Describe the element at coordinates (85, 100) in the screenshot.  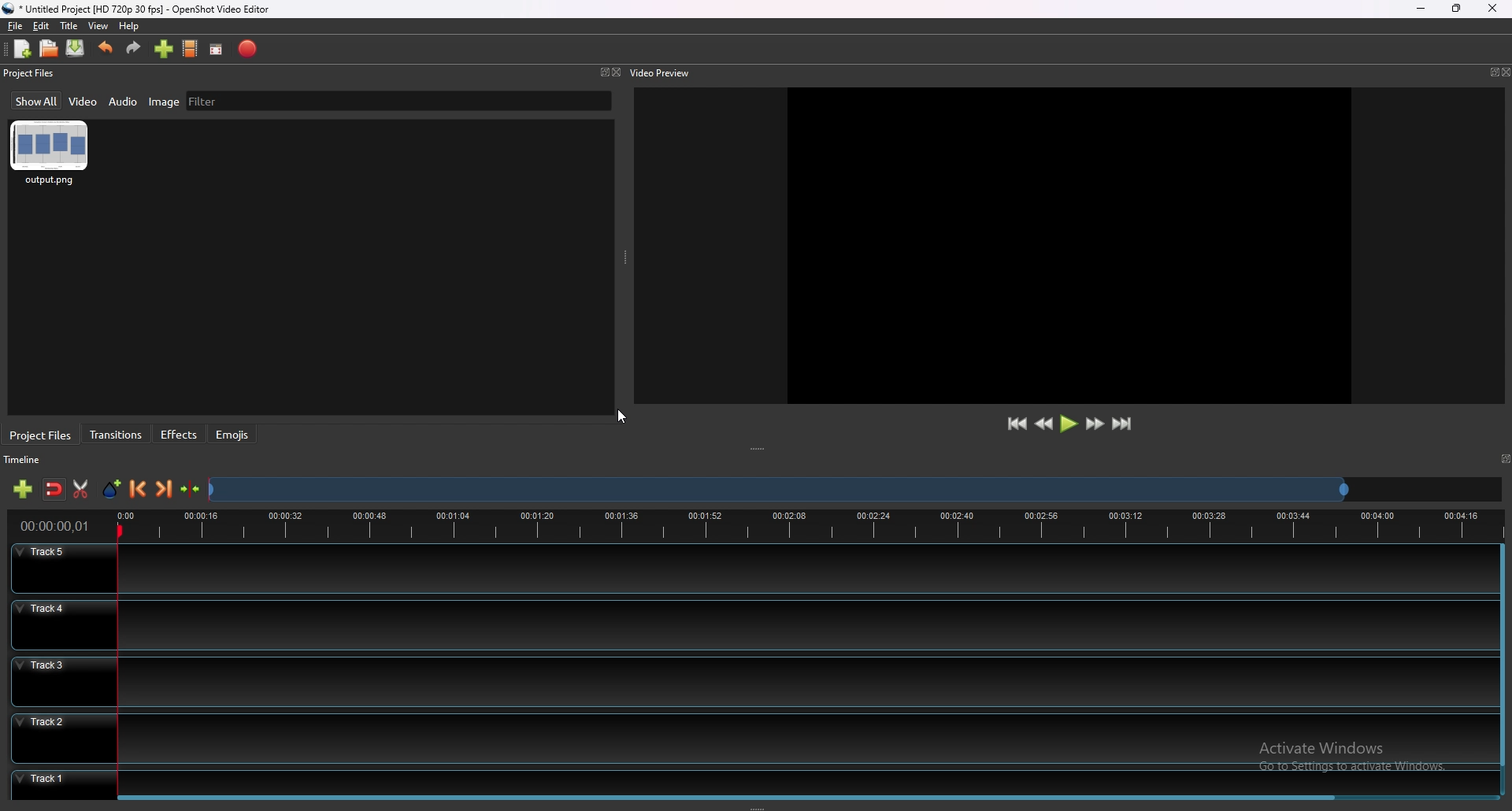
I see `video` at that location.